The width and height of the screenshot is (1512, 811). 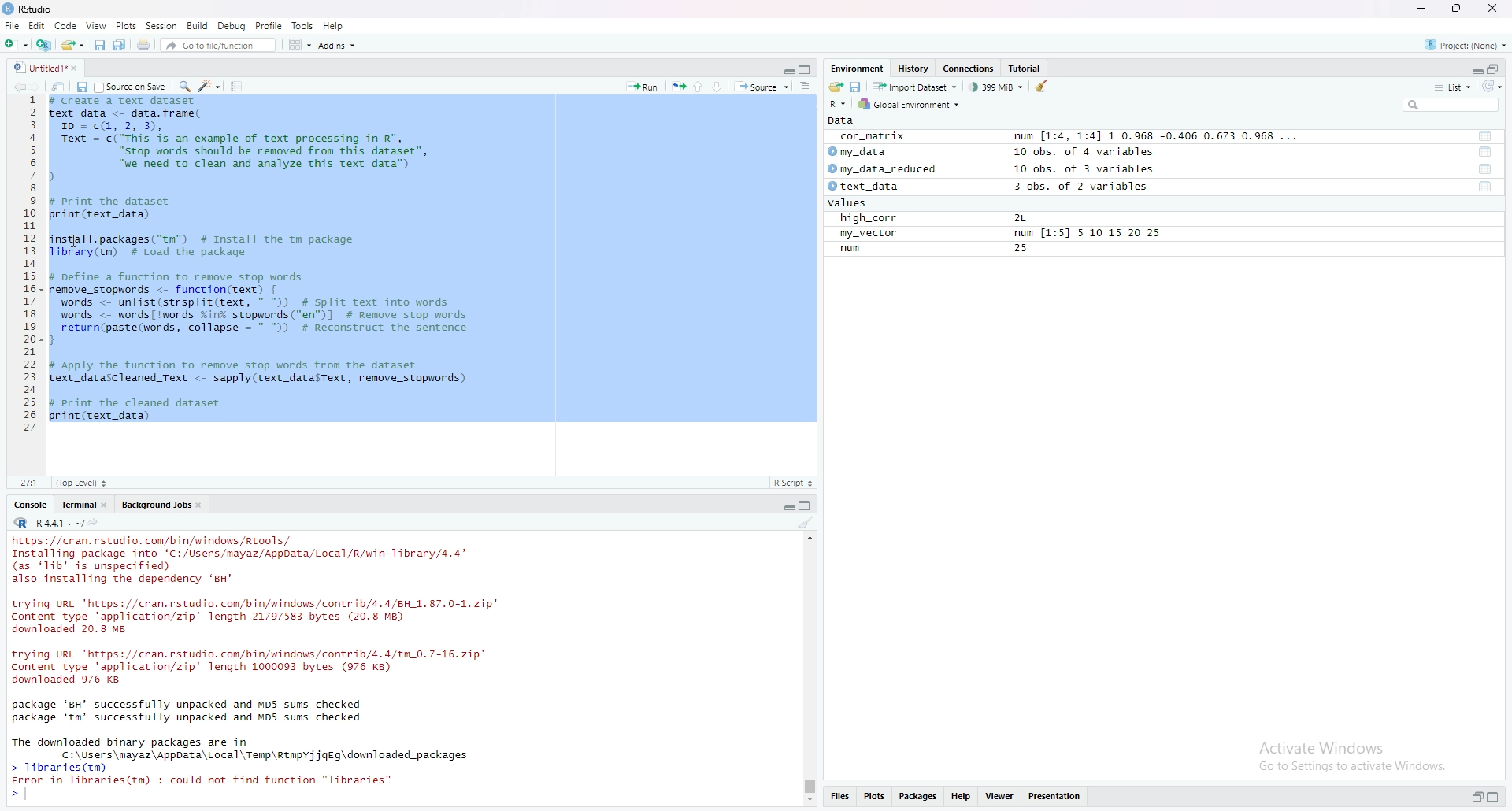 What do you see at coordinates (31, 266) in the screenshot?
I see `line numbers` at bounding box center [31, 266].